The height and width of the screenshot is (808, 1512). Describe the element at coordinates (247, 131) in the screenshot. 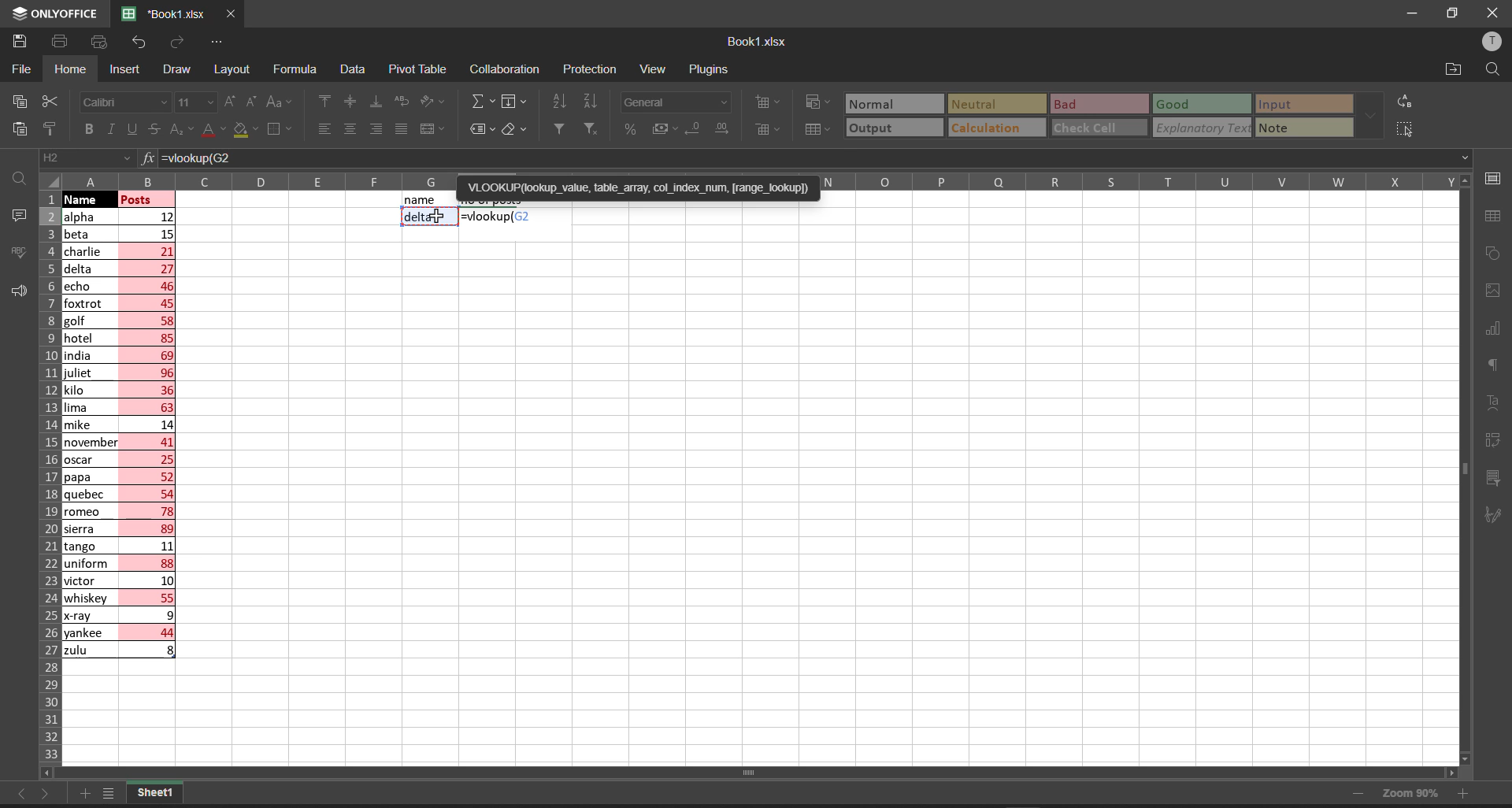

I see `fill color` at that location.